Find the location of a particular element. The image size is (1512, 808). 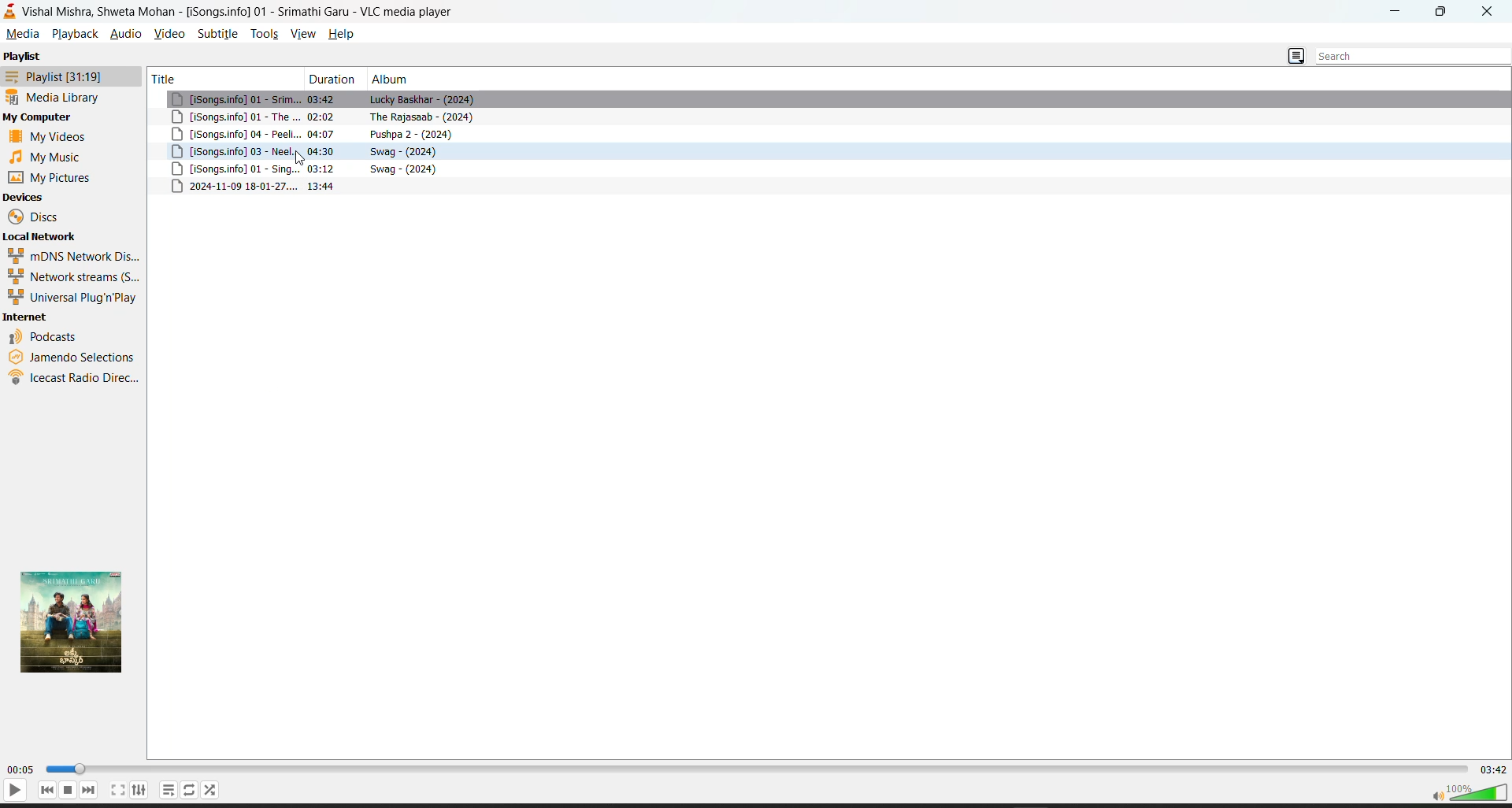

metadata is located at coordinates (831, 186).